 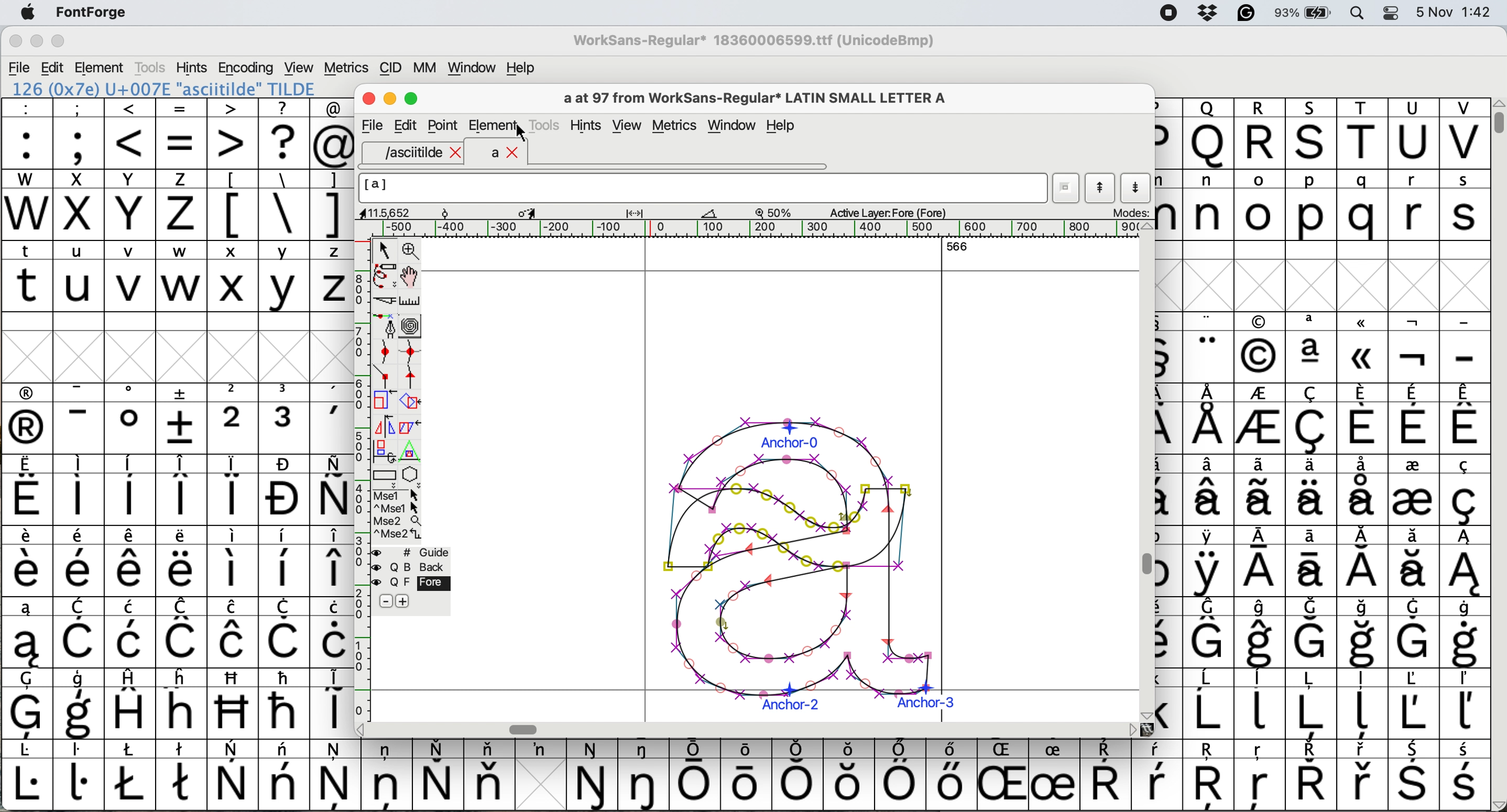 What do you see at coordinates (384, 475) in the screenshot?
I see `Rectangle or box` at bounding box center [384, 475].